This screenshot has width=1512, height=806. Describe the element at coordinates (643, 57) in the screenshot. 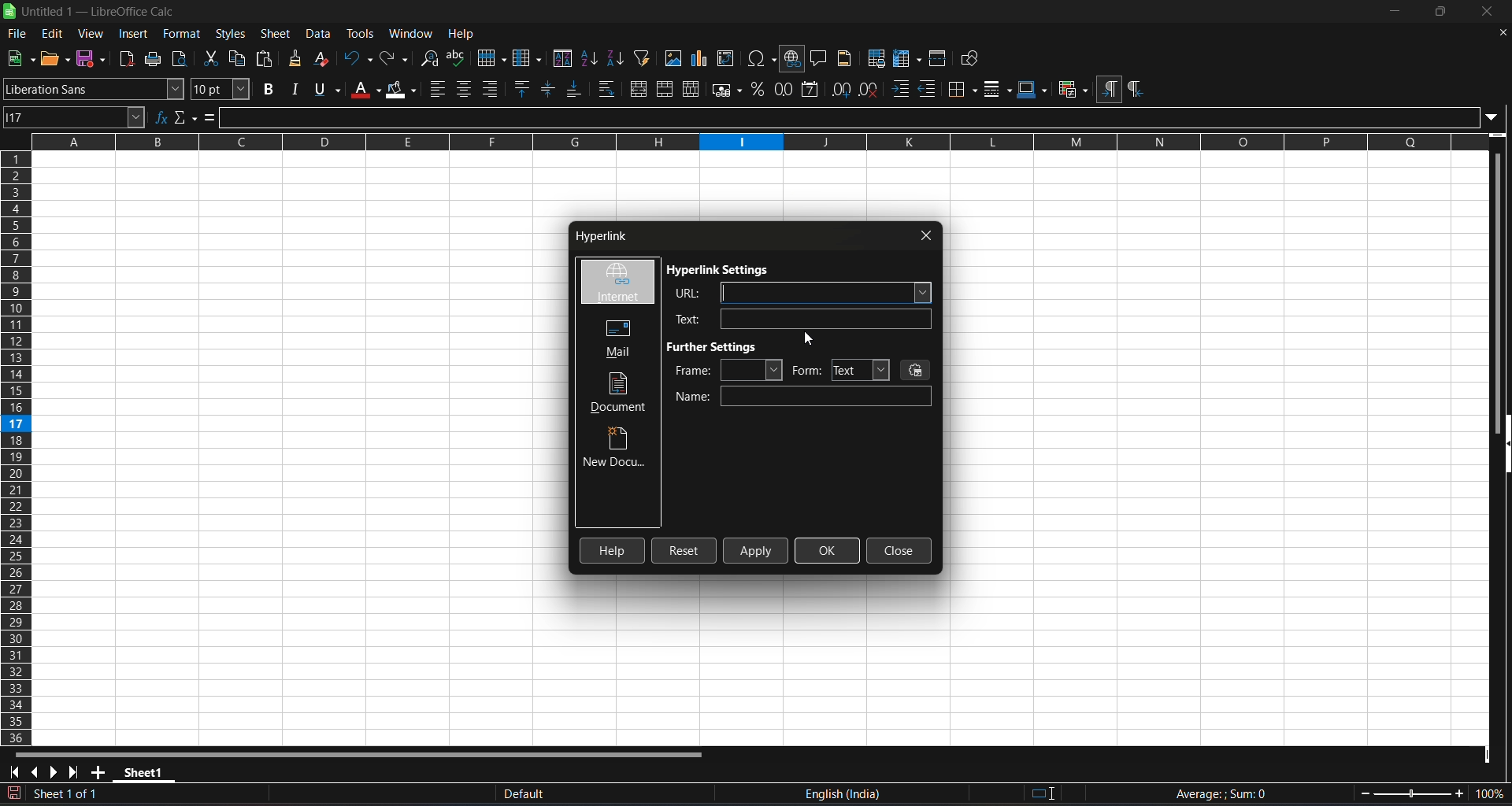

I see `auto filter` at that location.